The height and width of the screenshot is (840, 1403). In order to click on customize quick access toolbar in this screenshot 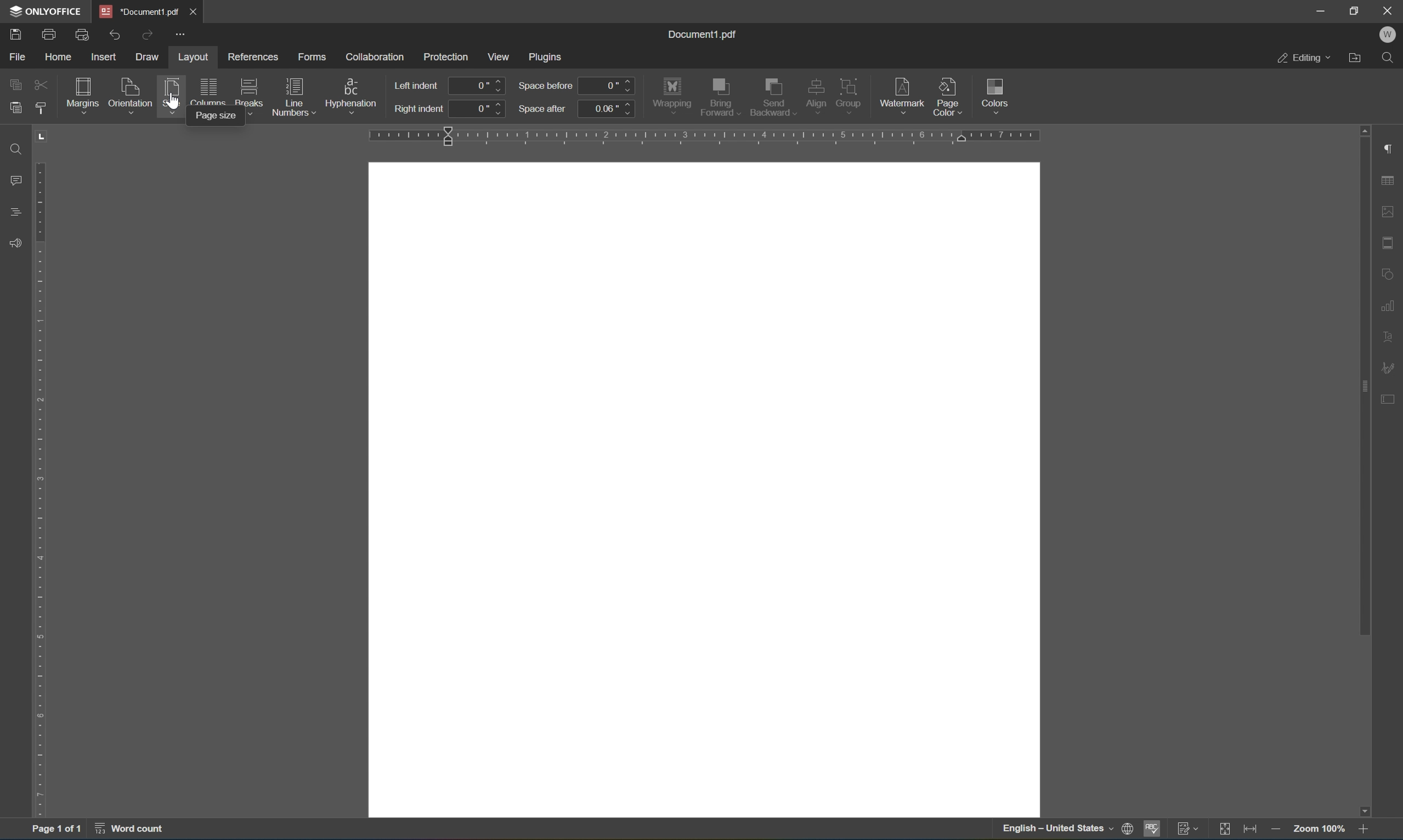, I will do `click(182, 36)`.